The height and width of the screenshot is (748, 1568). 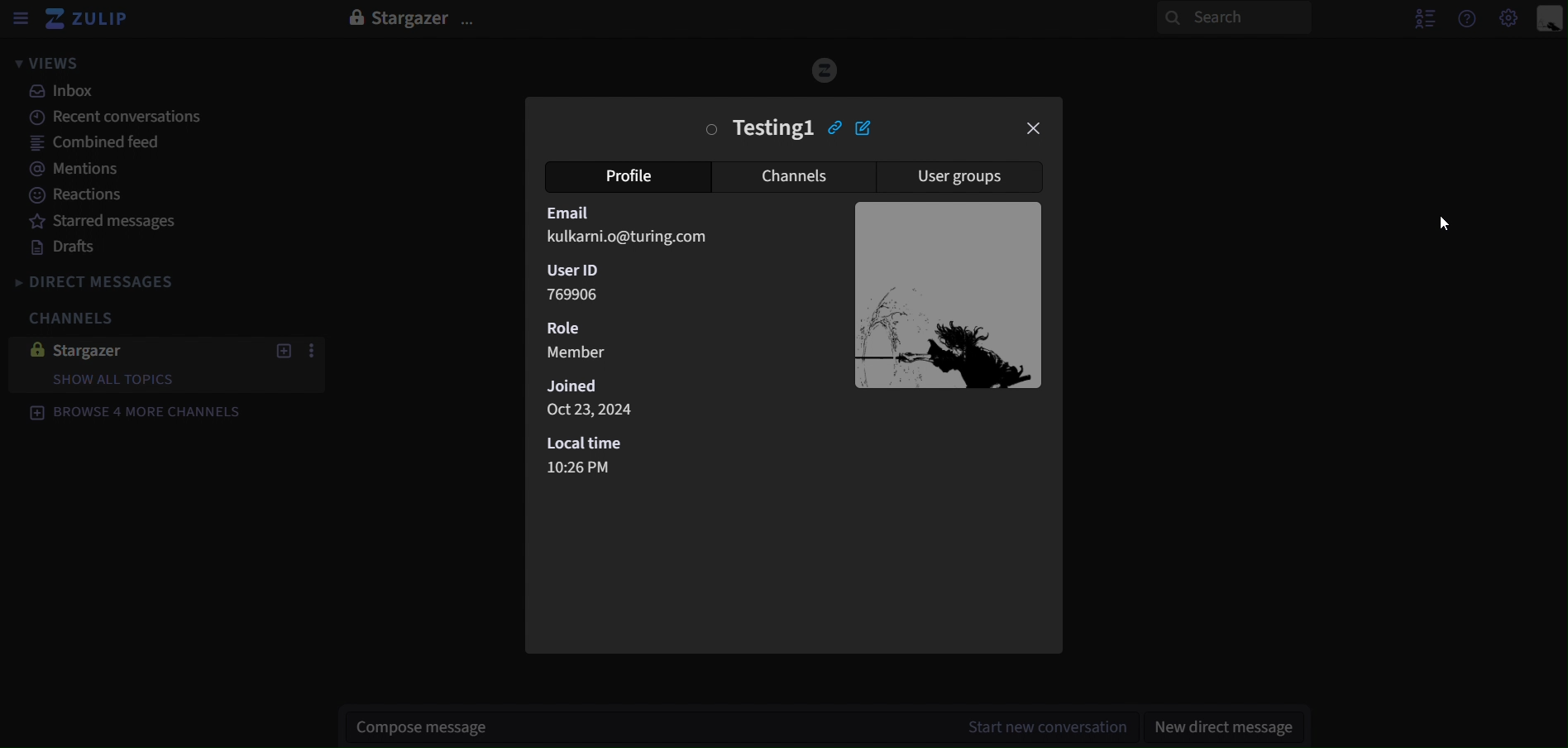 I want to click on Email
kulkarni.o@turing.com, so click(x=626, y=227).